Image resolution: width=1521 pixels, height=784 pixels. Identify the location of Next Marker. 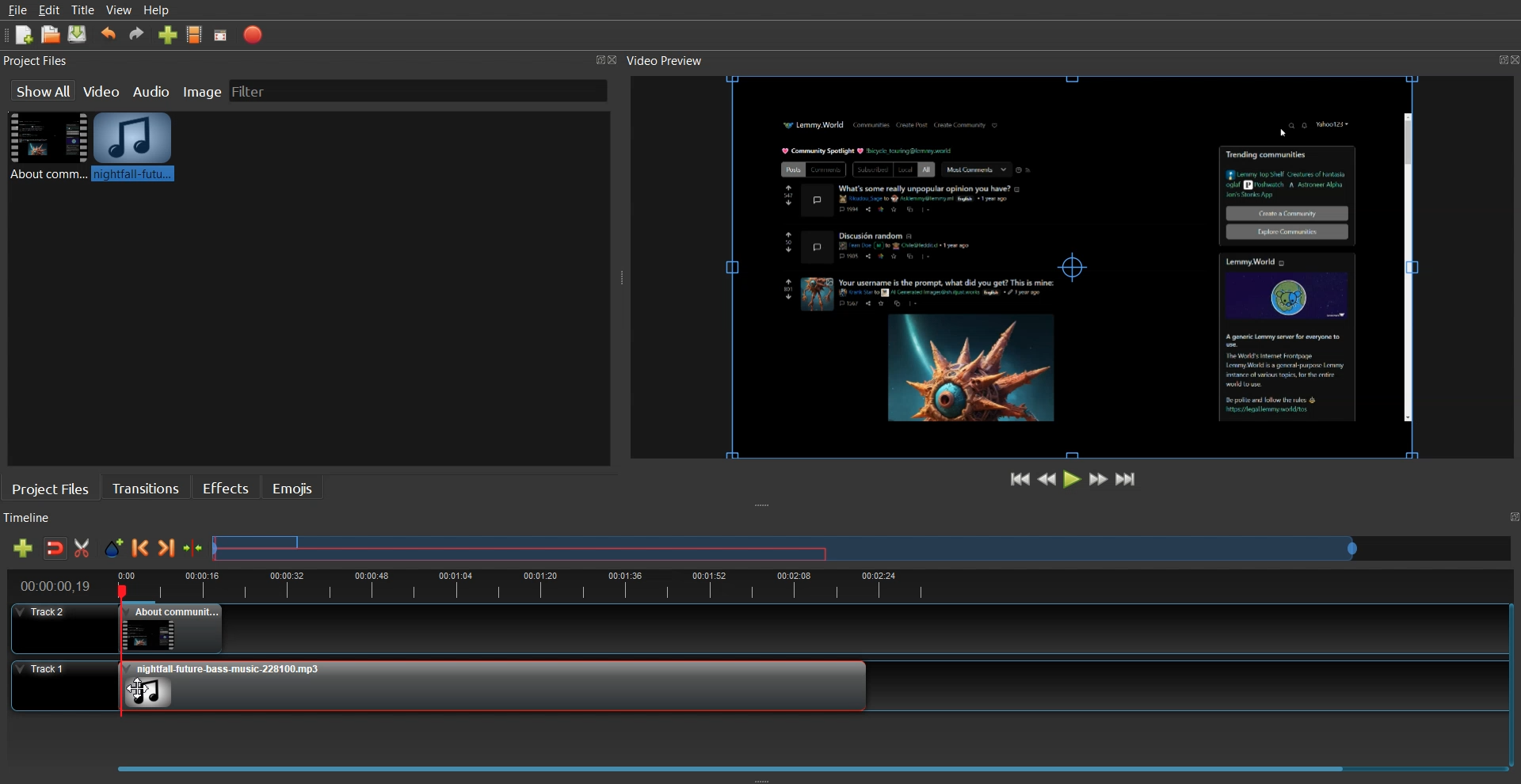
(167, 547).